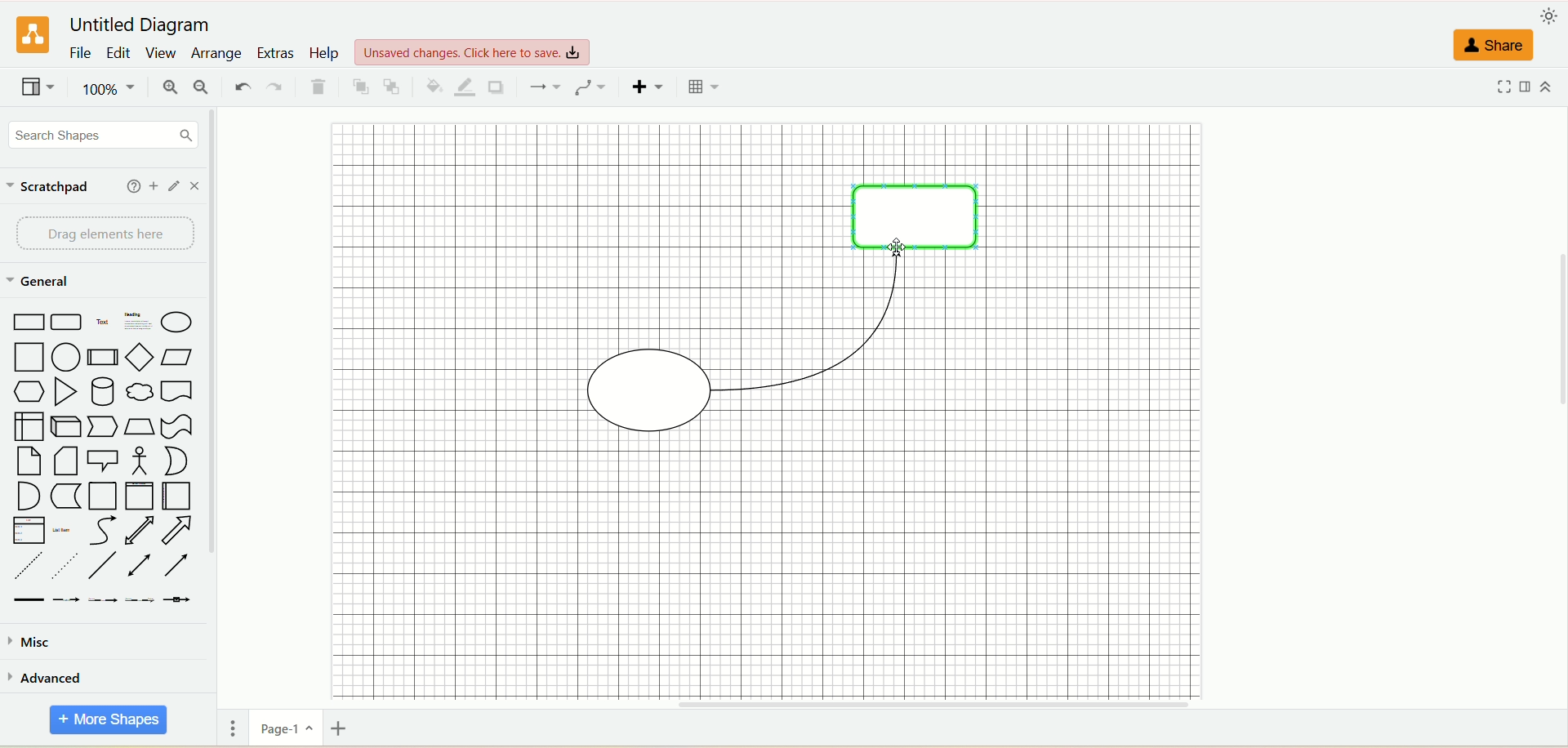 This screenshot has height=748, width=1568. What do you see at coordinates (345, 731) in the screenshot?
I see `insert page` at bounding box center [345, 731].